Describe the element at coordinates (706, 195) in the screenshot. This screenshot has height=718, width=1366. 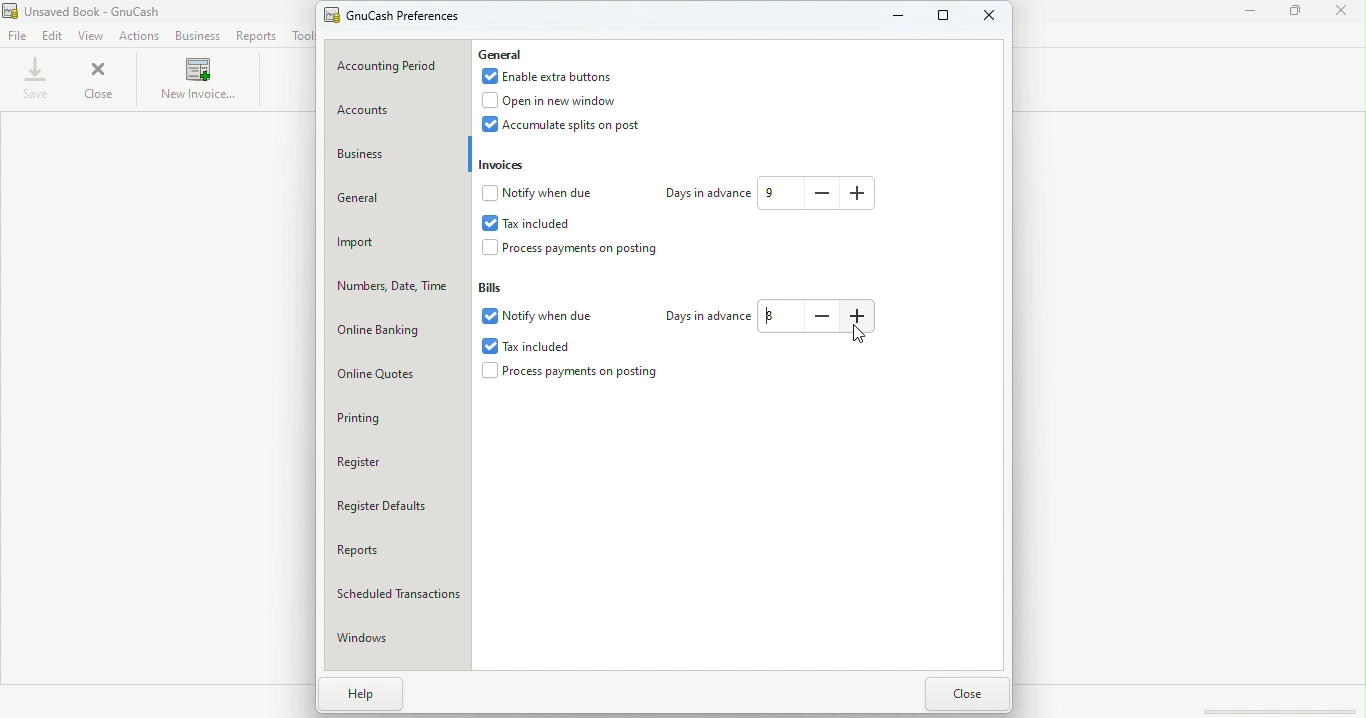
I see `Days in advance` at that location.